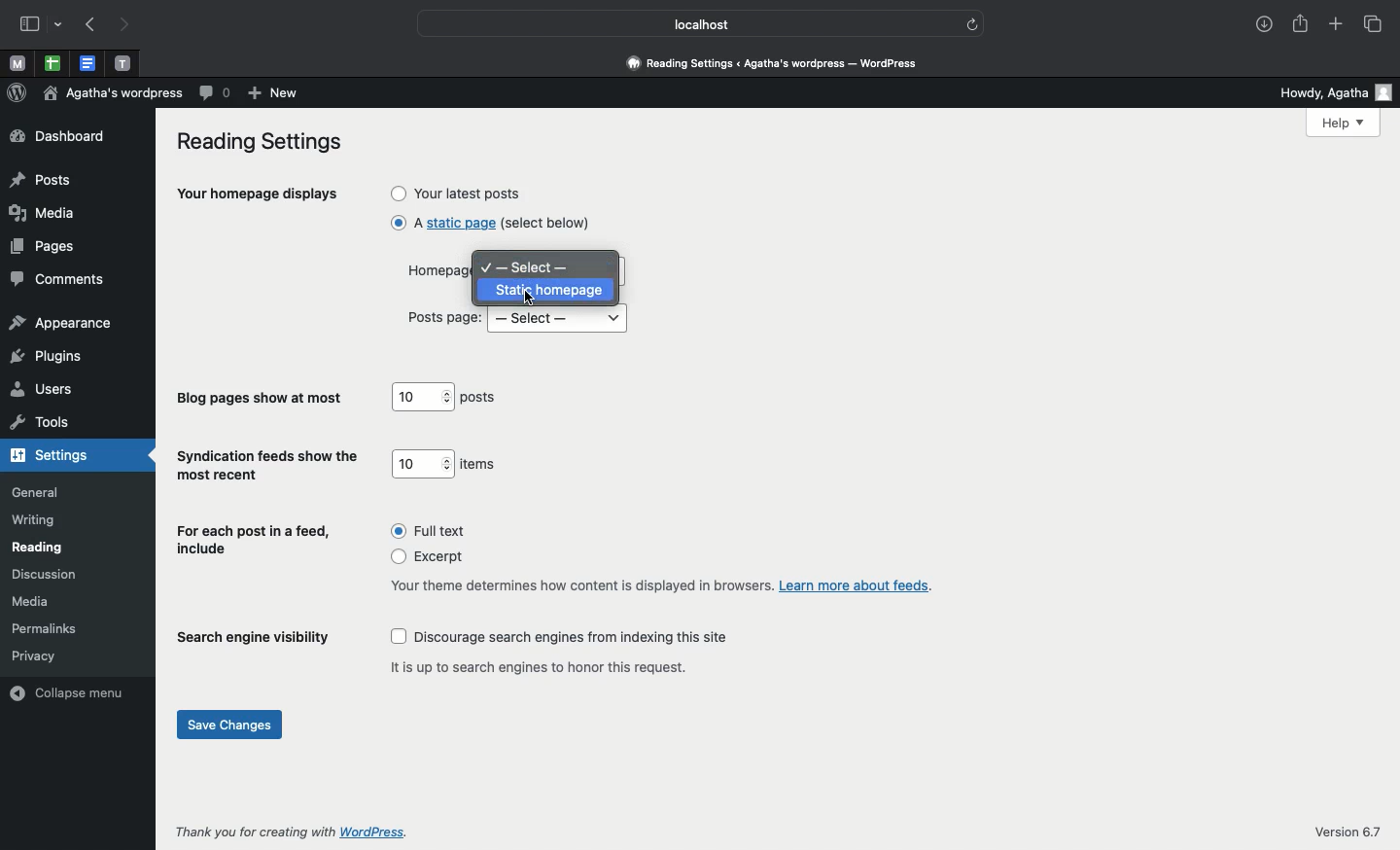  Describe the element at coordinates (55, 456) in the screenshot. I see `settings` at that location.